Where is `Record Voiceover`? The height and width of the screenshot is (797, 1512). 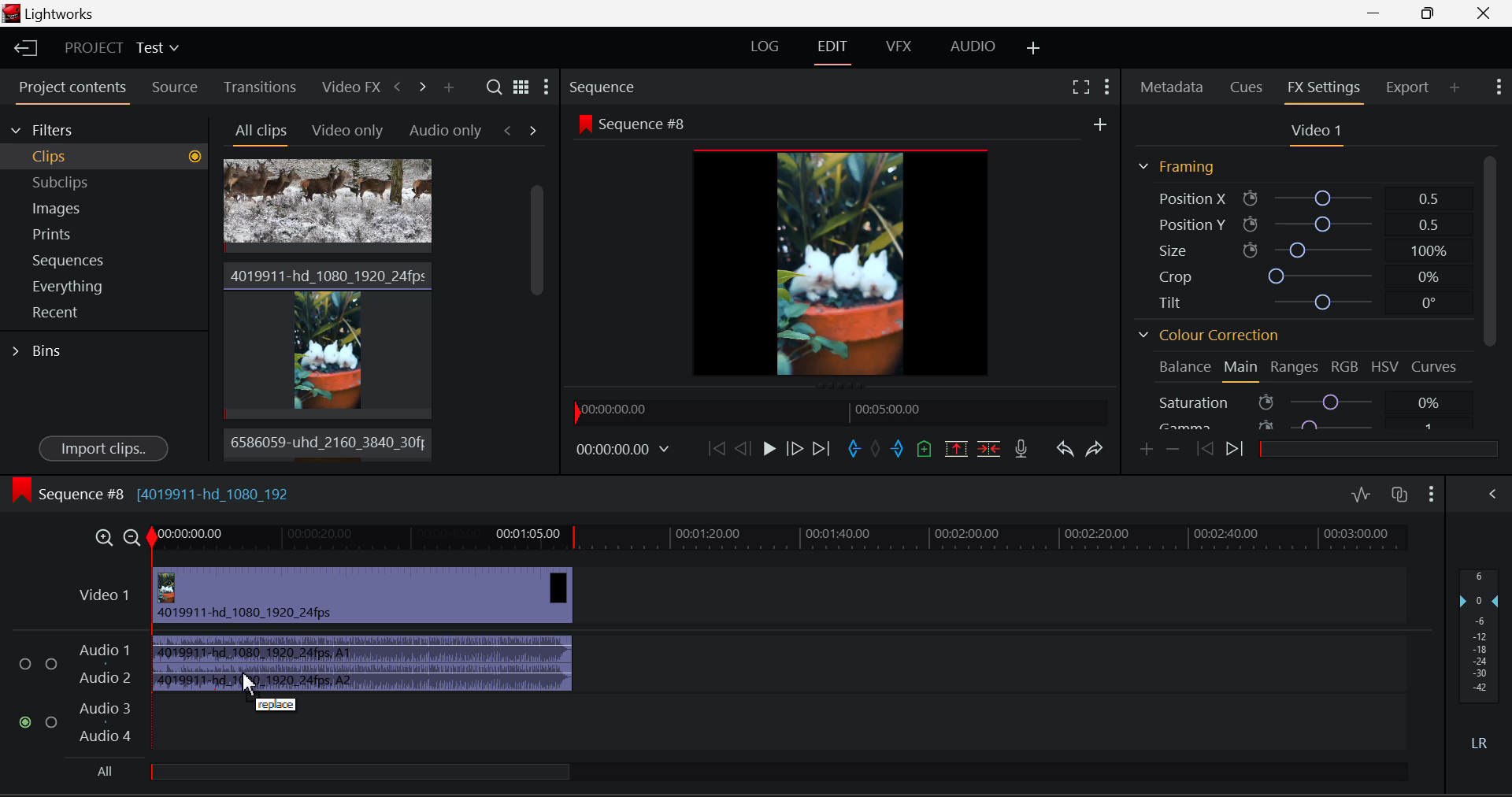
Record Voiceover is located at coordinates (1025, 449).